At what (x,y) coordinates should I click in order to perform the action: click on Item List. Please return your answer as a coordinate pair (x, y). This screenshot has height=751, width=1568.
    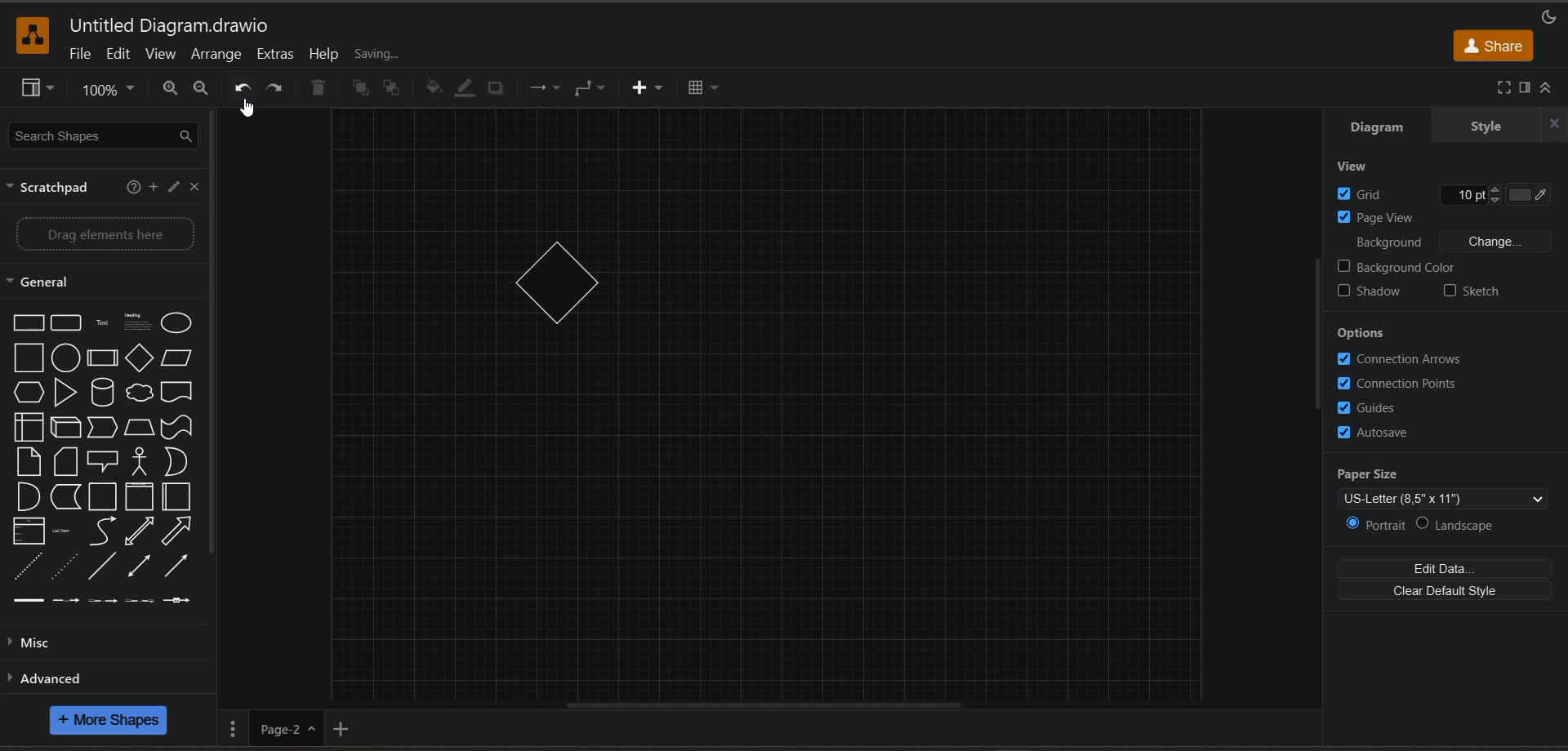
    Looking at the image, I should click on (29, 532).